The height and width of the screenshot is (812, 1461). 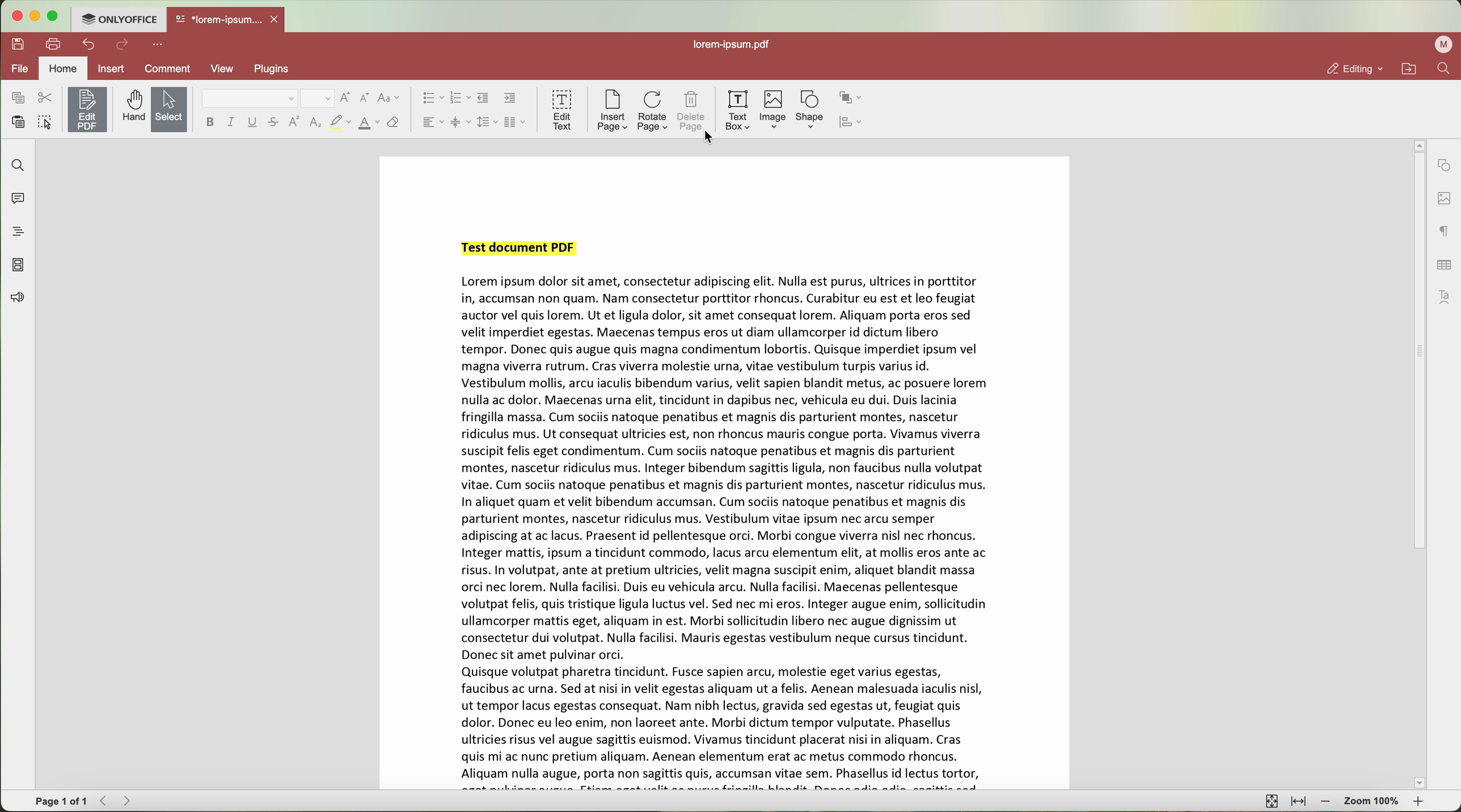 I want to click on select all, so click(x=45, y=122).